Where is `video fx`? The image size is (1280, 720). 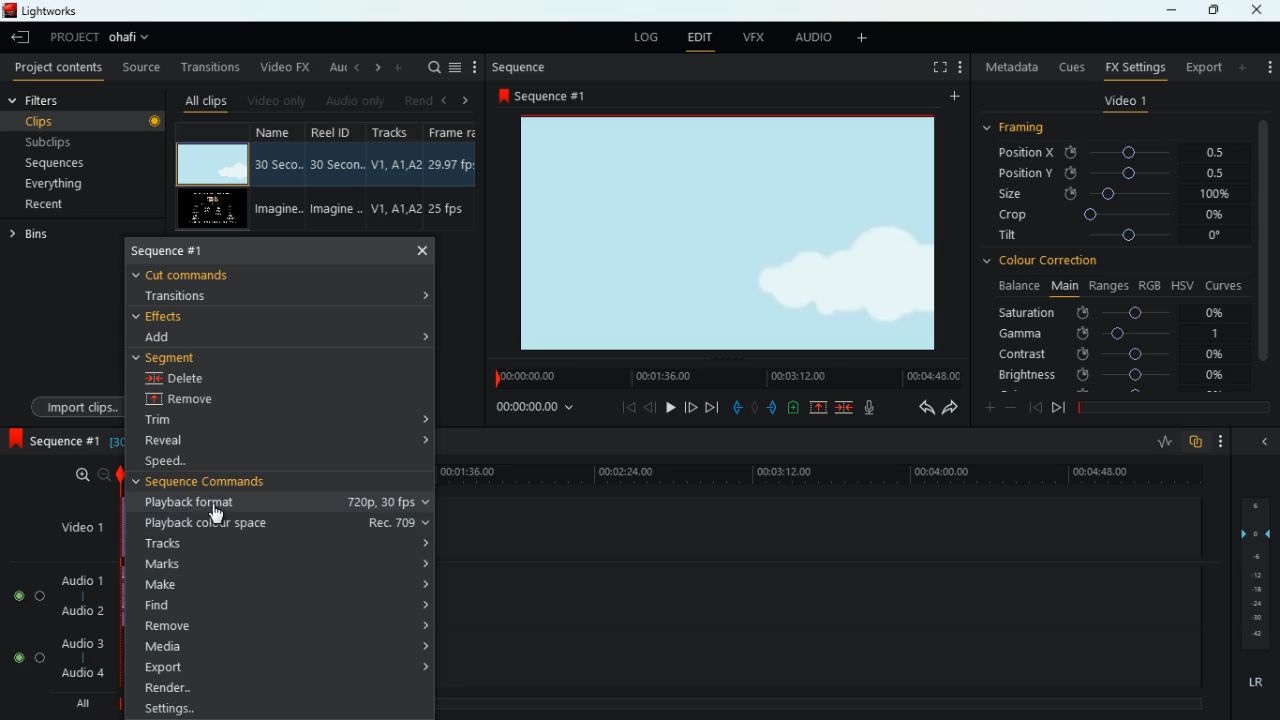 video fx is located at coordinates (286, 68).